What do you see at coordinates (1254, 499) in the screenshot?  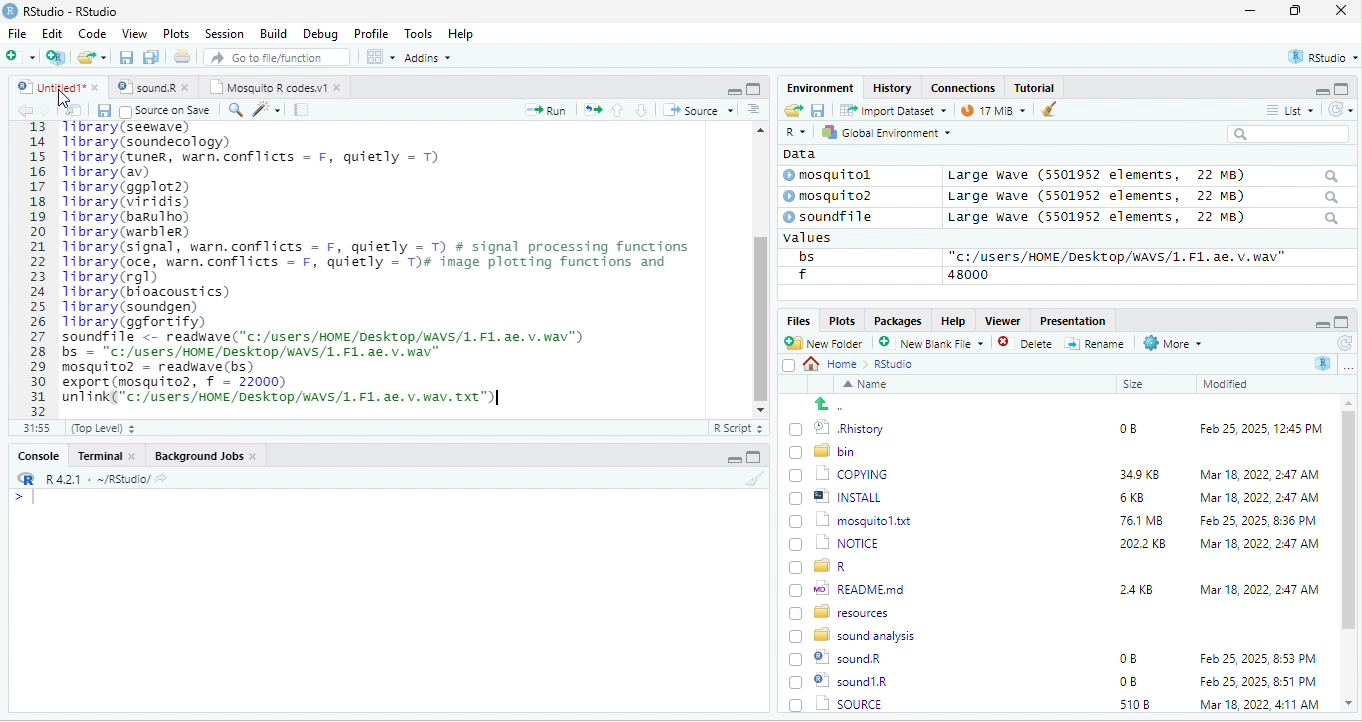 I see `Mar 18, 2022, 2:47 AM` at bounding box center [1254, 499].